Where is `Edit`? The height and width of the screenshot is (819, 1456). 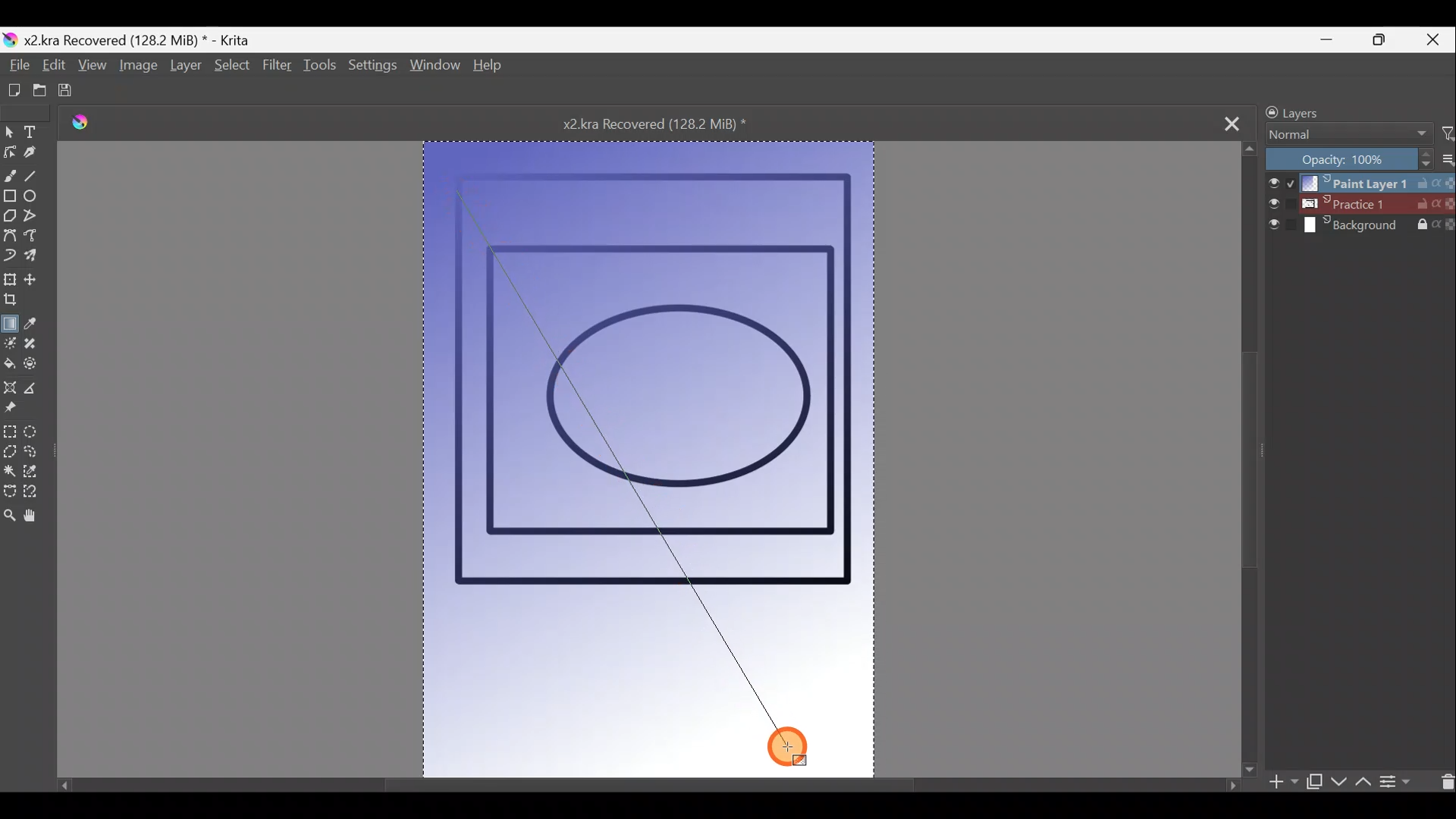
Edit is located at coordinates (52, 68).